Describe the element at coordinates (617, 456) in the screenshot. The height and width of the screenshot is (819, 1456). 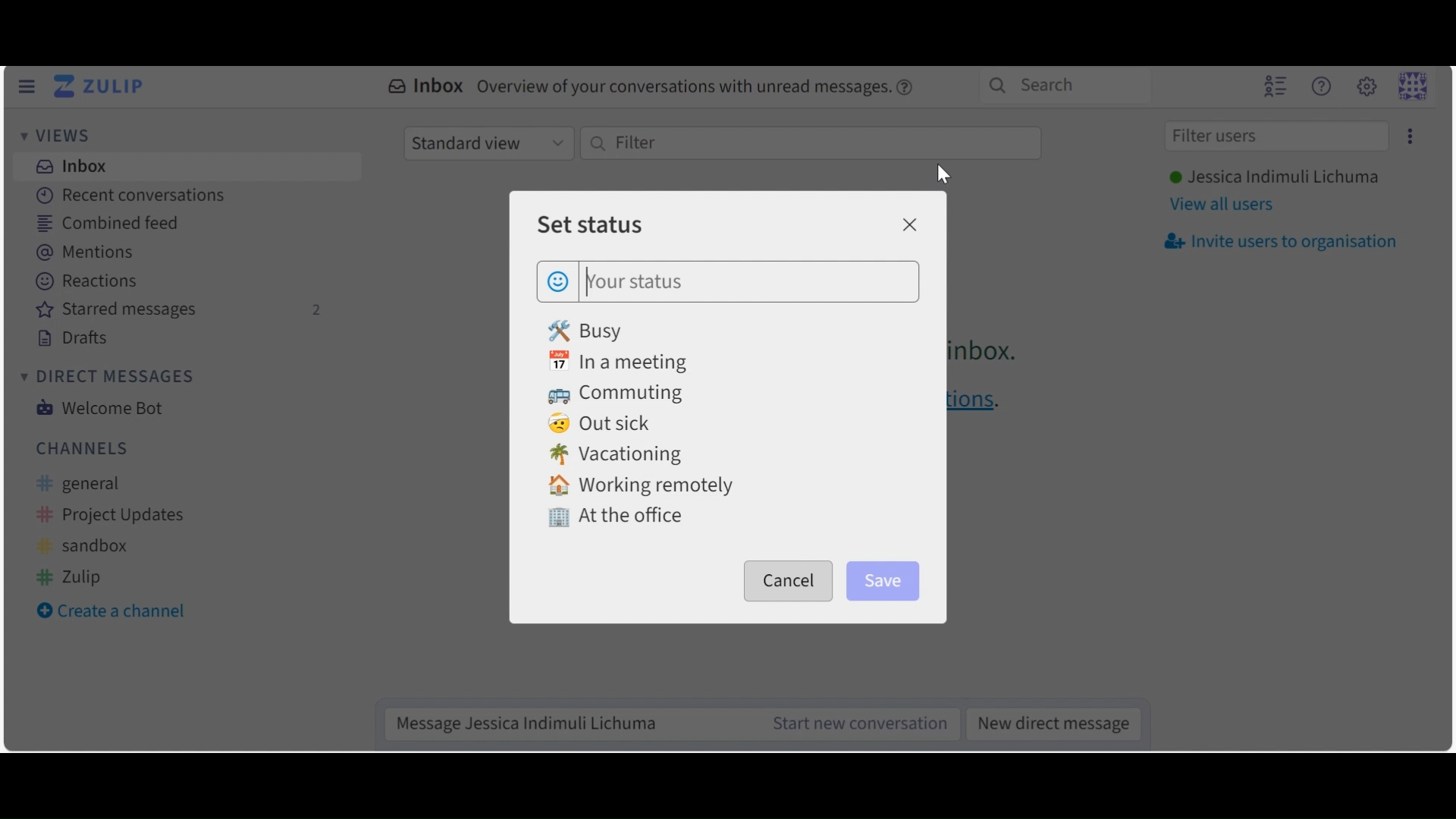
I see `Vacationing` at that location.